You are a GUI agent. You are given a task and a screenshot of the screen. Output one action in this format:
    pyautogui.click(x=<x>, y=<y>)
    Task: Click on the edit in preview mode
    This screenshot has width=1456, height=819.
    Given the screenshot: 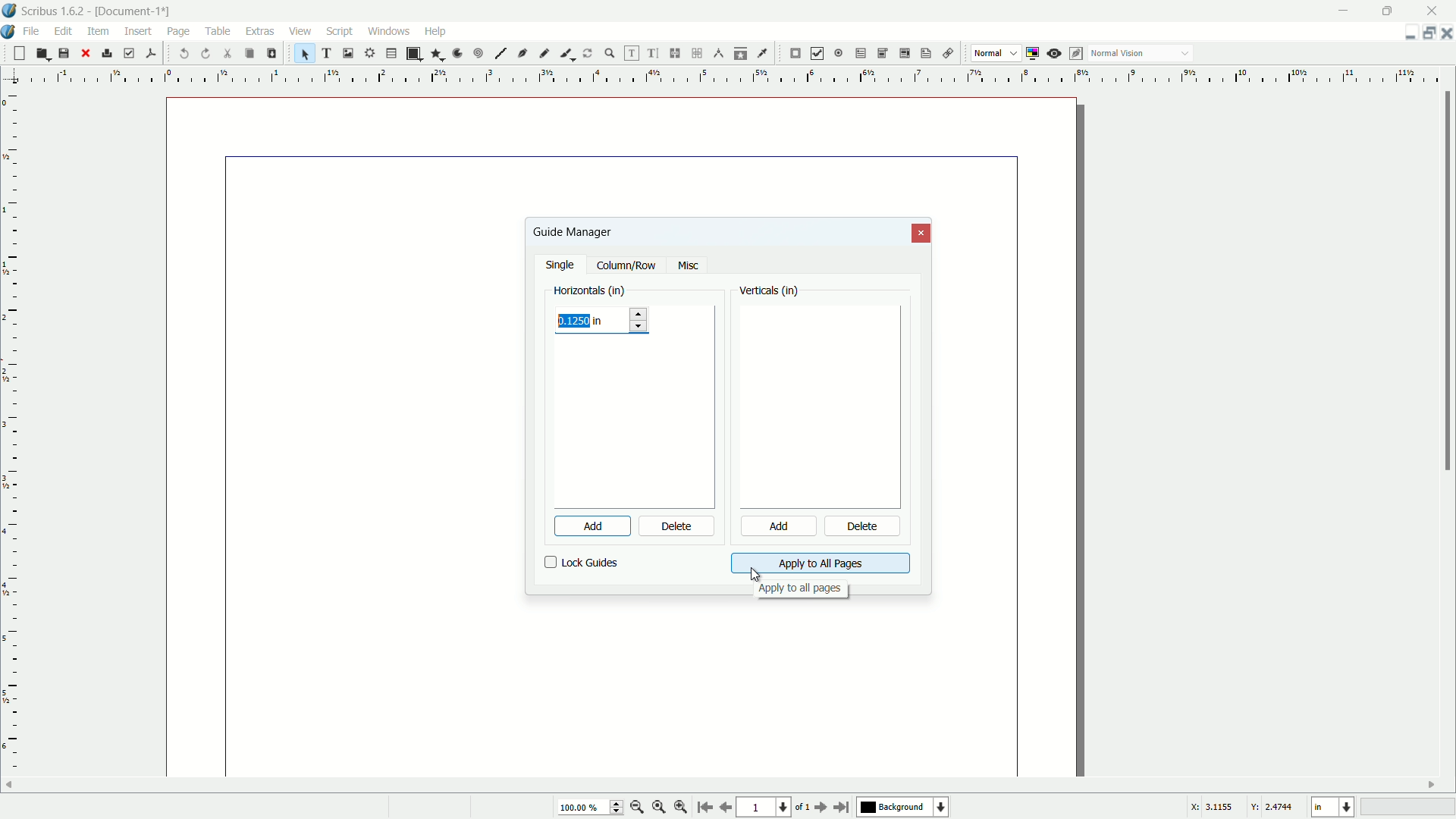 What is the action you would take?
    pyautogui.click(x=1078, y=53)
    